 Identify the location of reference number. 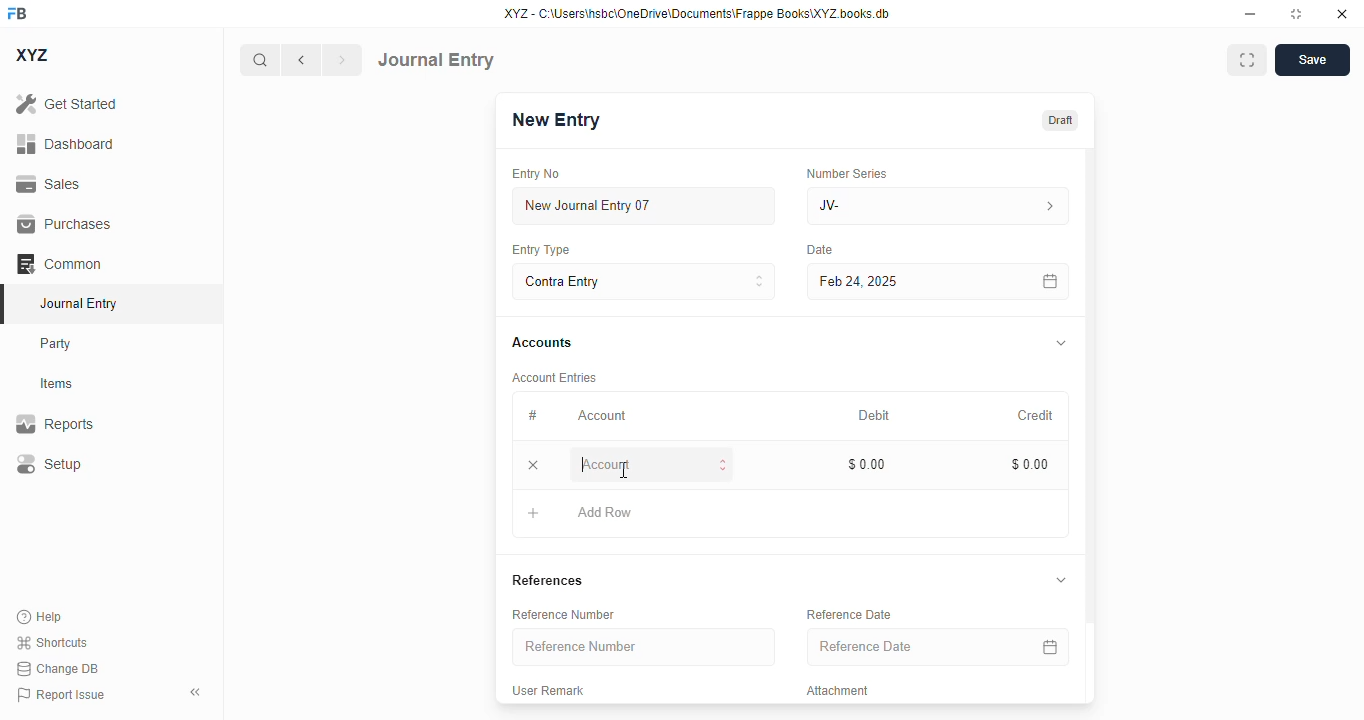
(645, 647).